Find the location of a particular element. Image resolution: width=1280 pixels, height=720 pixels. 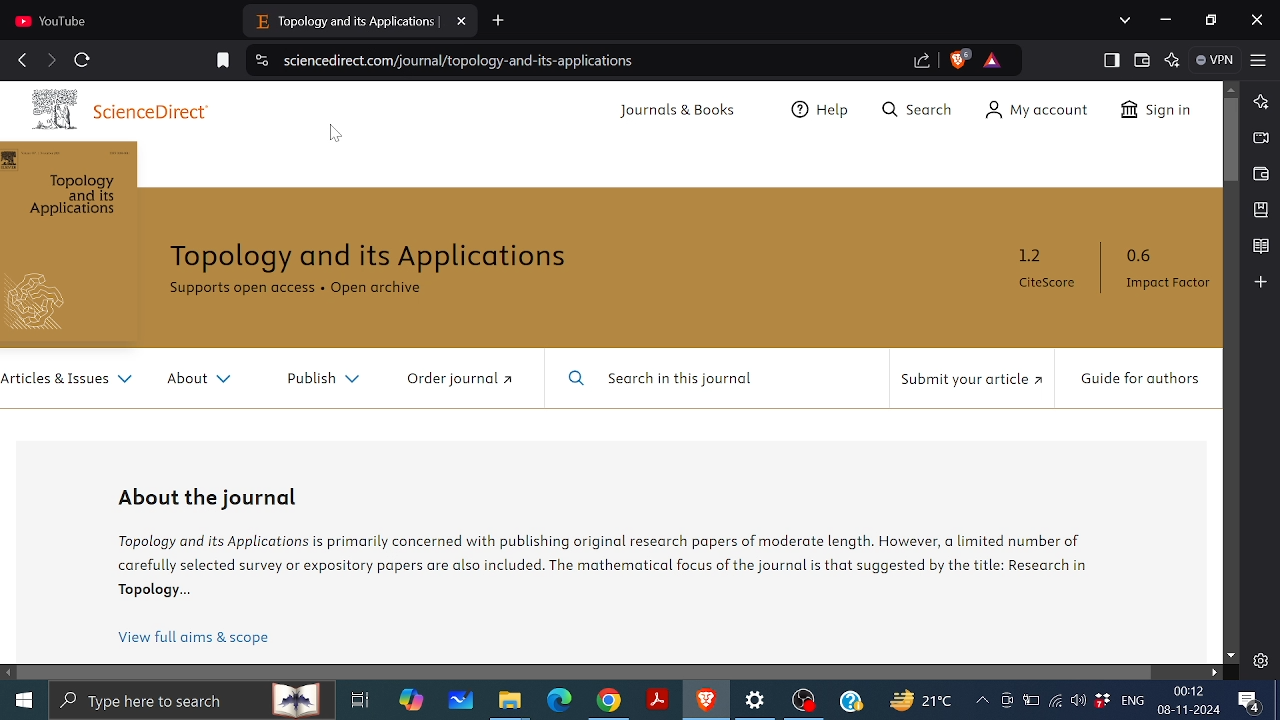

Type here or search apps is located at coordinates (190, 699).